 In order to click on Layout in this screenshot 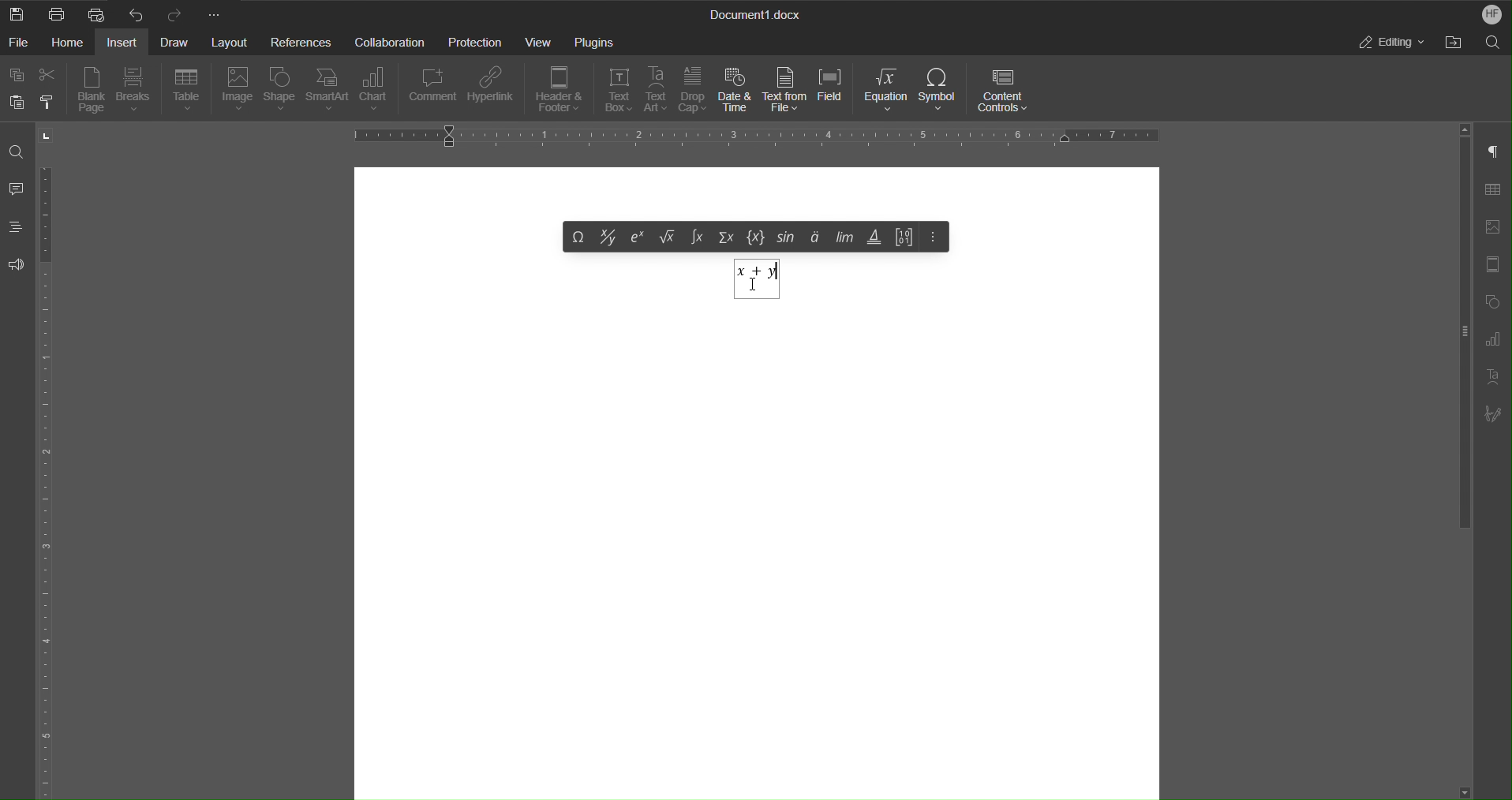, I will do `click(226, 44)`.